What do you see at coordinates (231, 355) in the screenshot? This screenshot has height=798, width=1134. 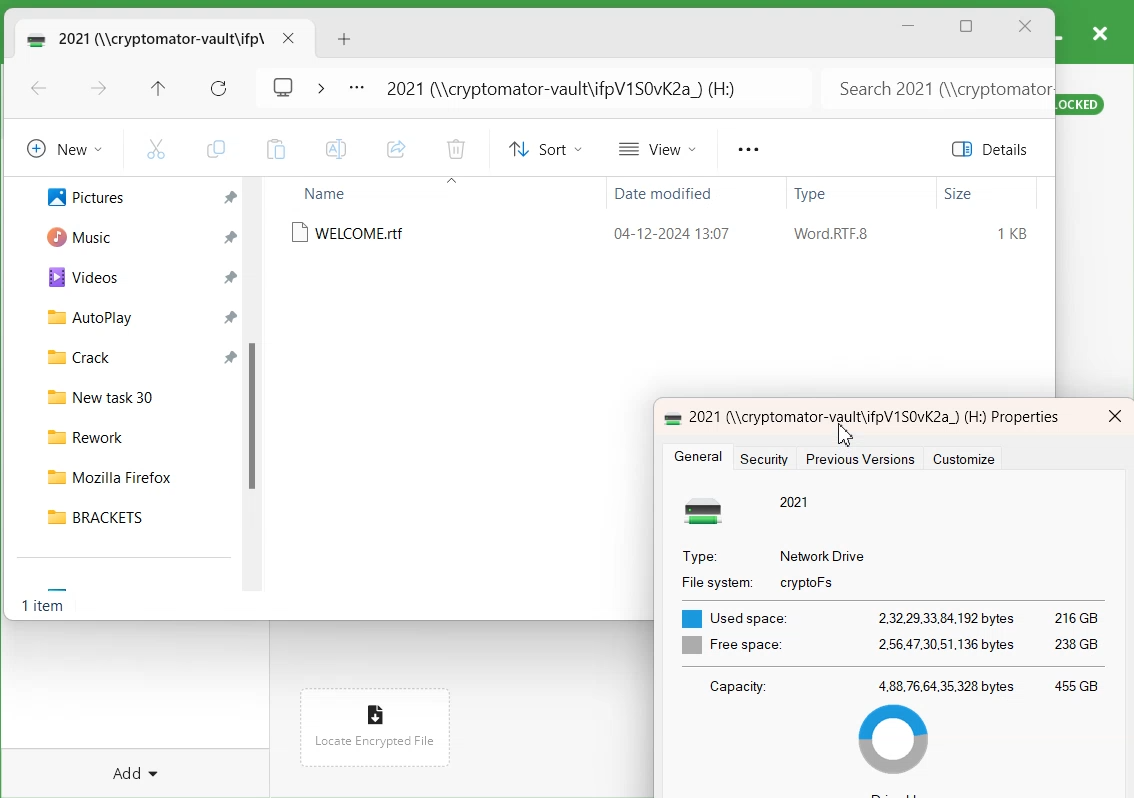 I see `Pin a file` at bounding box center [231, 355].